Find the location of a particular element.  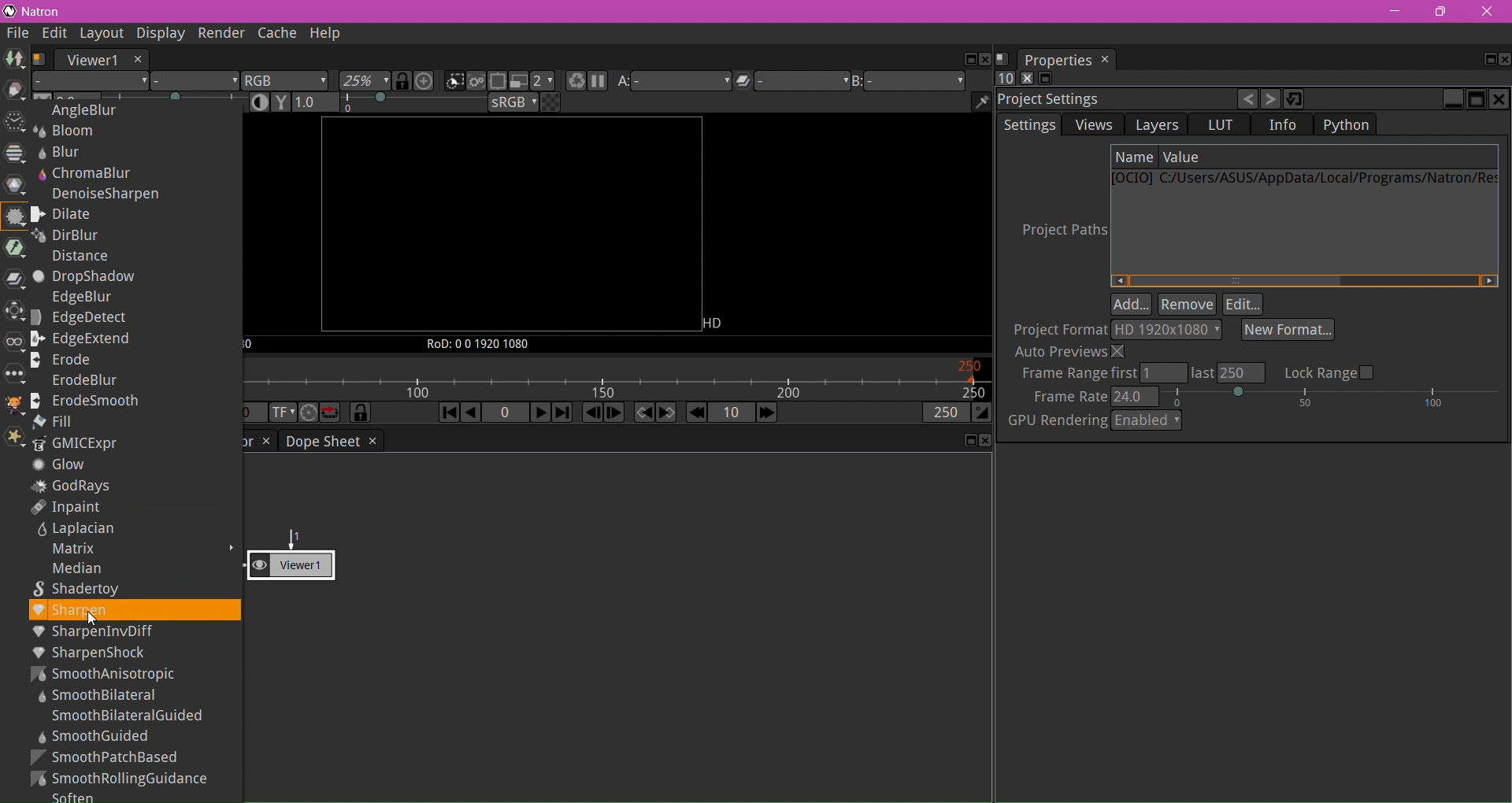

Check to enable Auto Previews is located at coordinates (1073, 351).